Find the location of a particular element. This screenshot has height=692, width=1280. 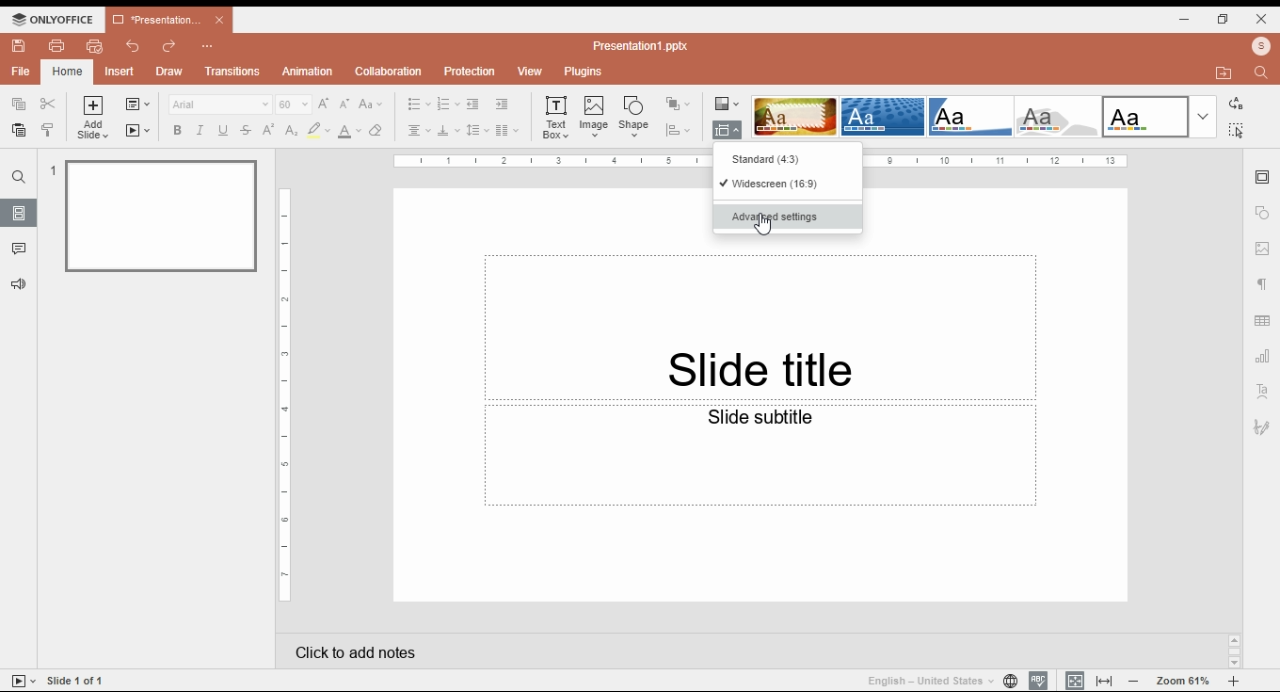

decrement font size is located at coordinates (345, 103).